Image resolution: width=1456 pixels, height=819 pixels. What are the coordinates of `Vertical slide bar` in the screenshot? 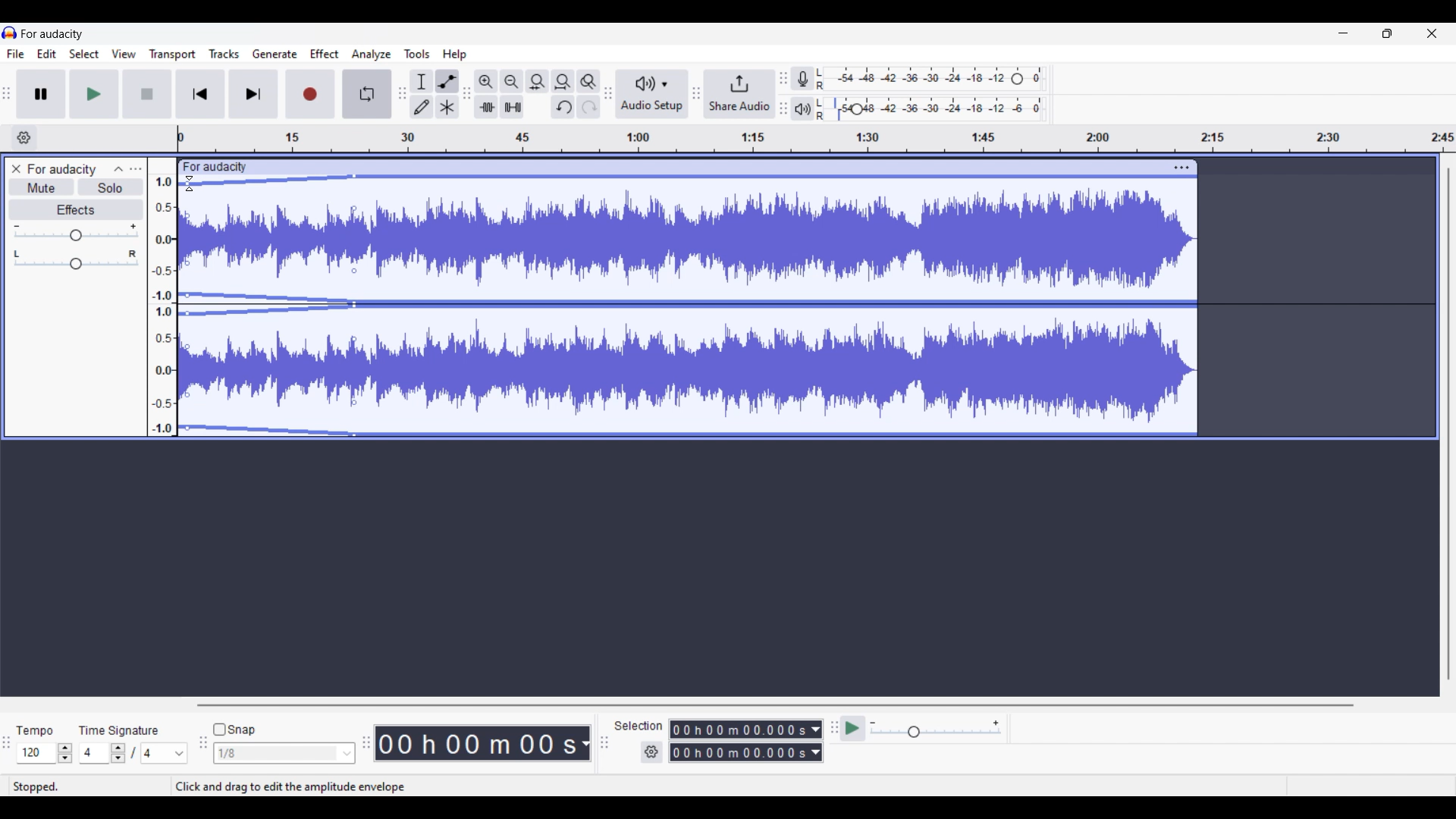 It's located at (1449, 425).